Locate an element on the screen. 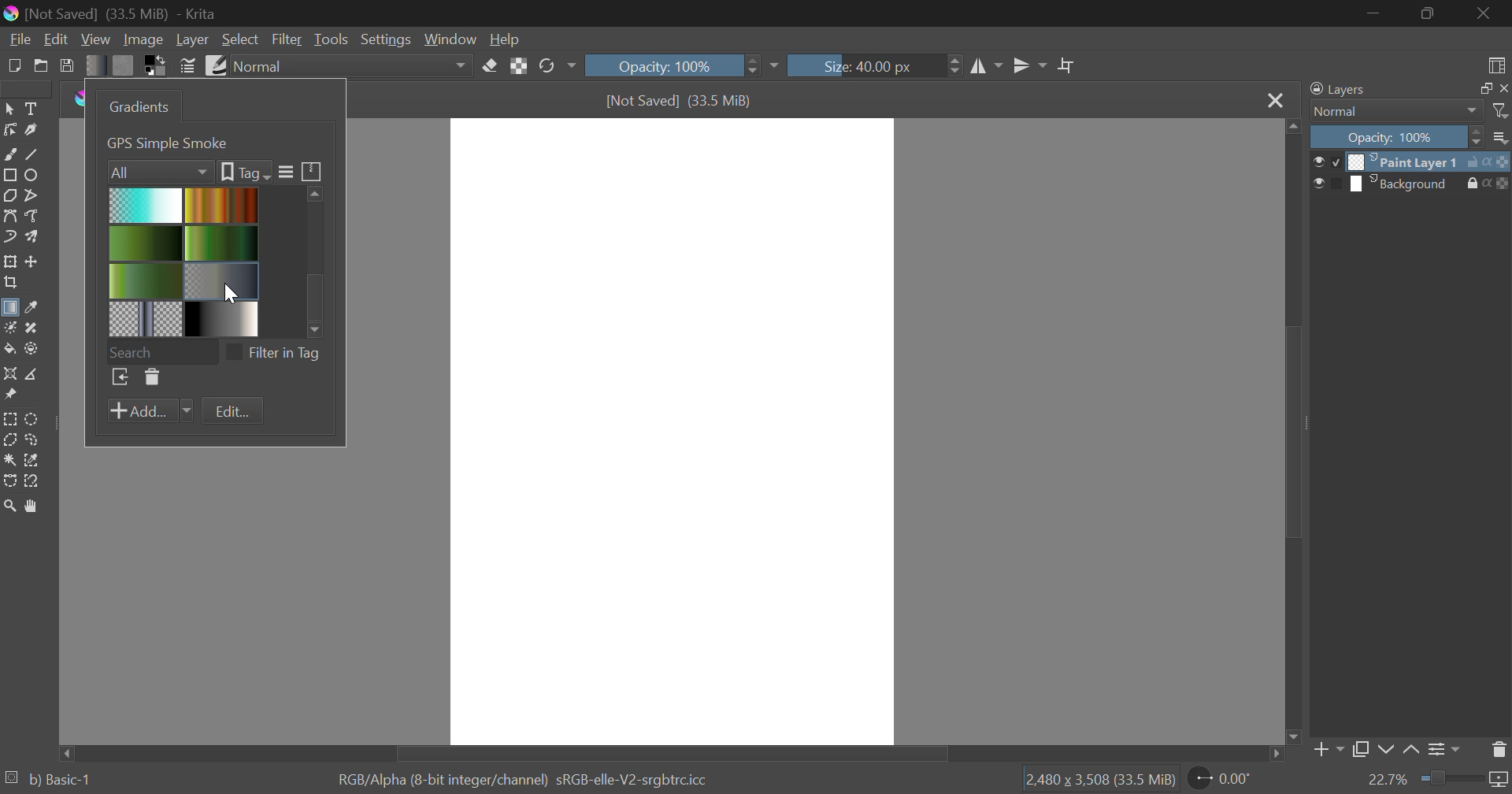  Filter in Tag is located at coordinates (278, 351).